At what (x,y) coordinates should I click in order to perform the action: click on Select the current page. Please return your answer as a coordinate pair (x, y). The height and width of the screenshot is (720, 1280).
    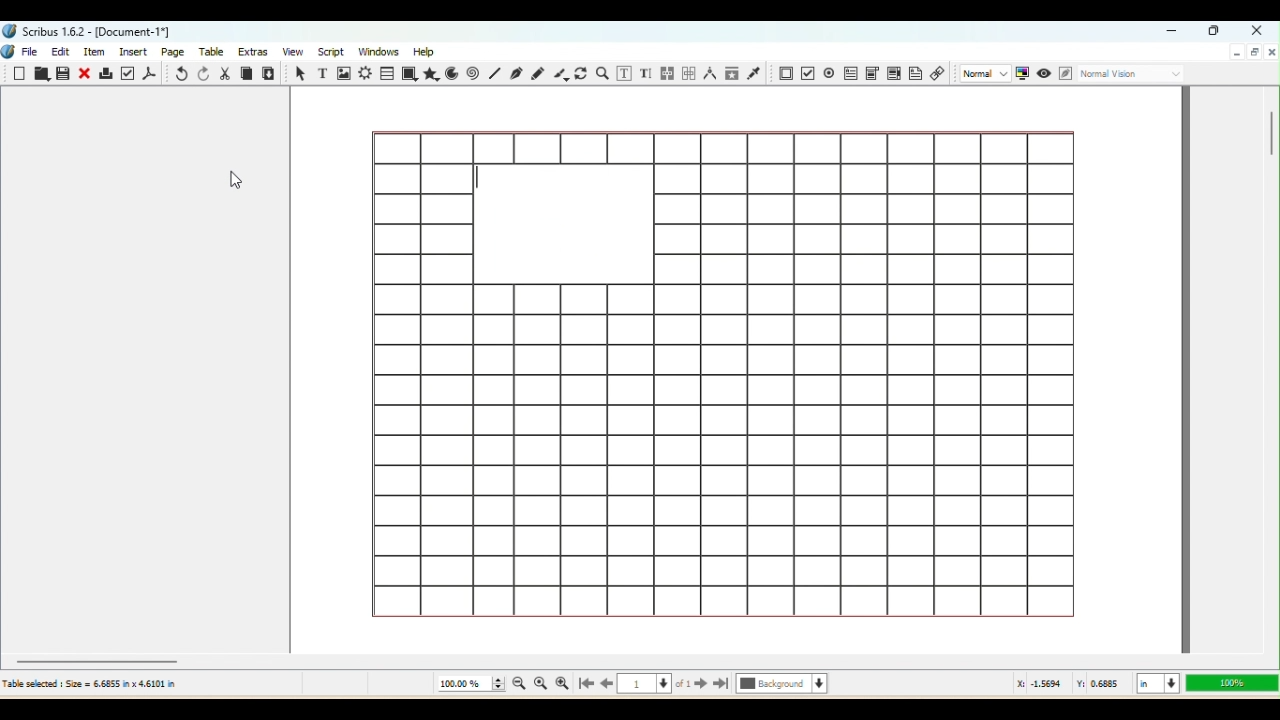
    Looking at the image, I should click on (655, 686).